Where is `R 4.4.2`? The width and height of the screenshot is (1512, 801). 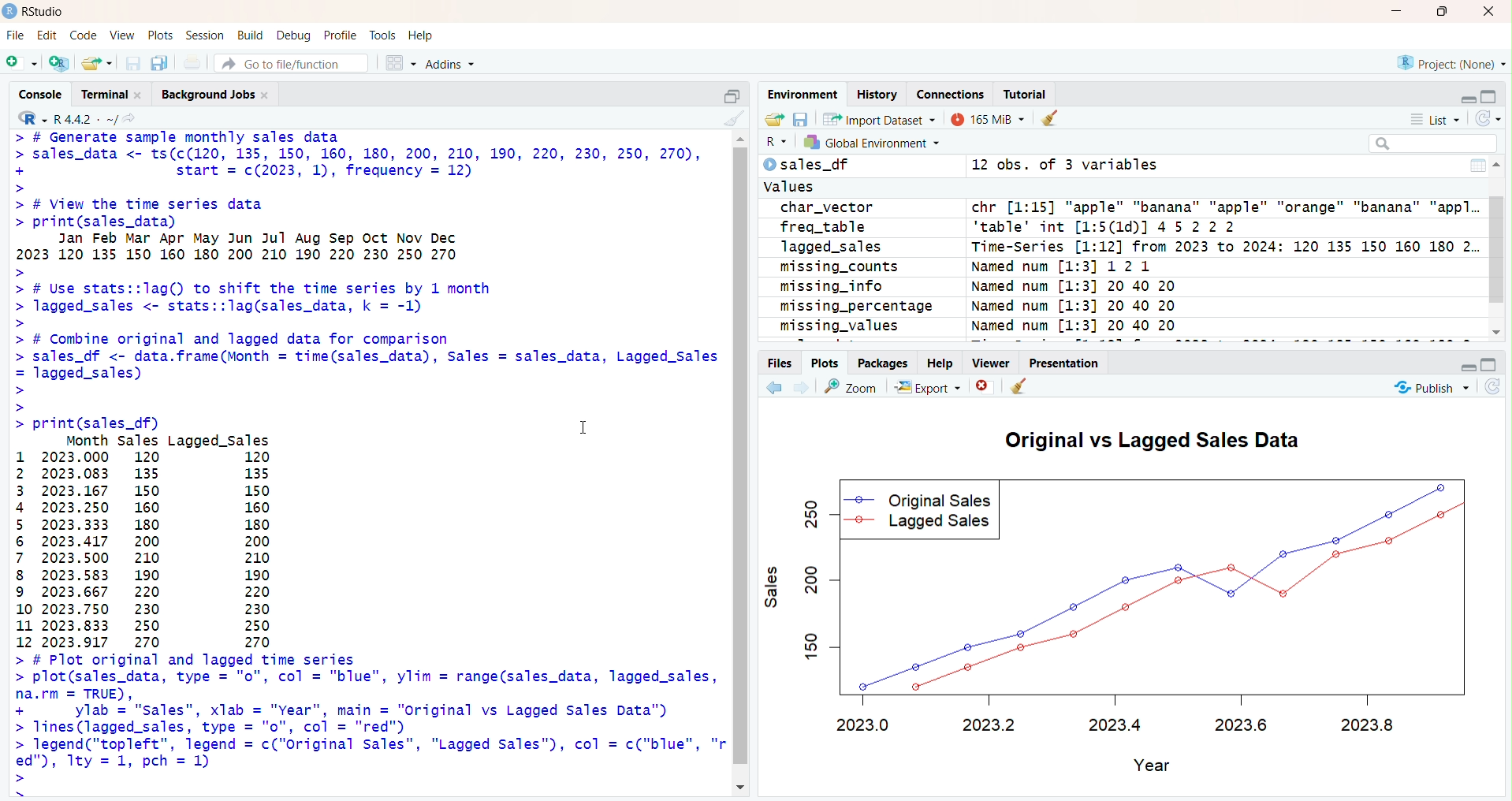 R 4.4.2 is located at coordinates (68, 119).